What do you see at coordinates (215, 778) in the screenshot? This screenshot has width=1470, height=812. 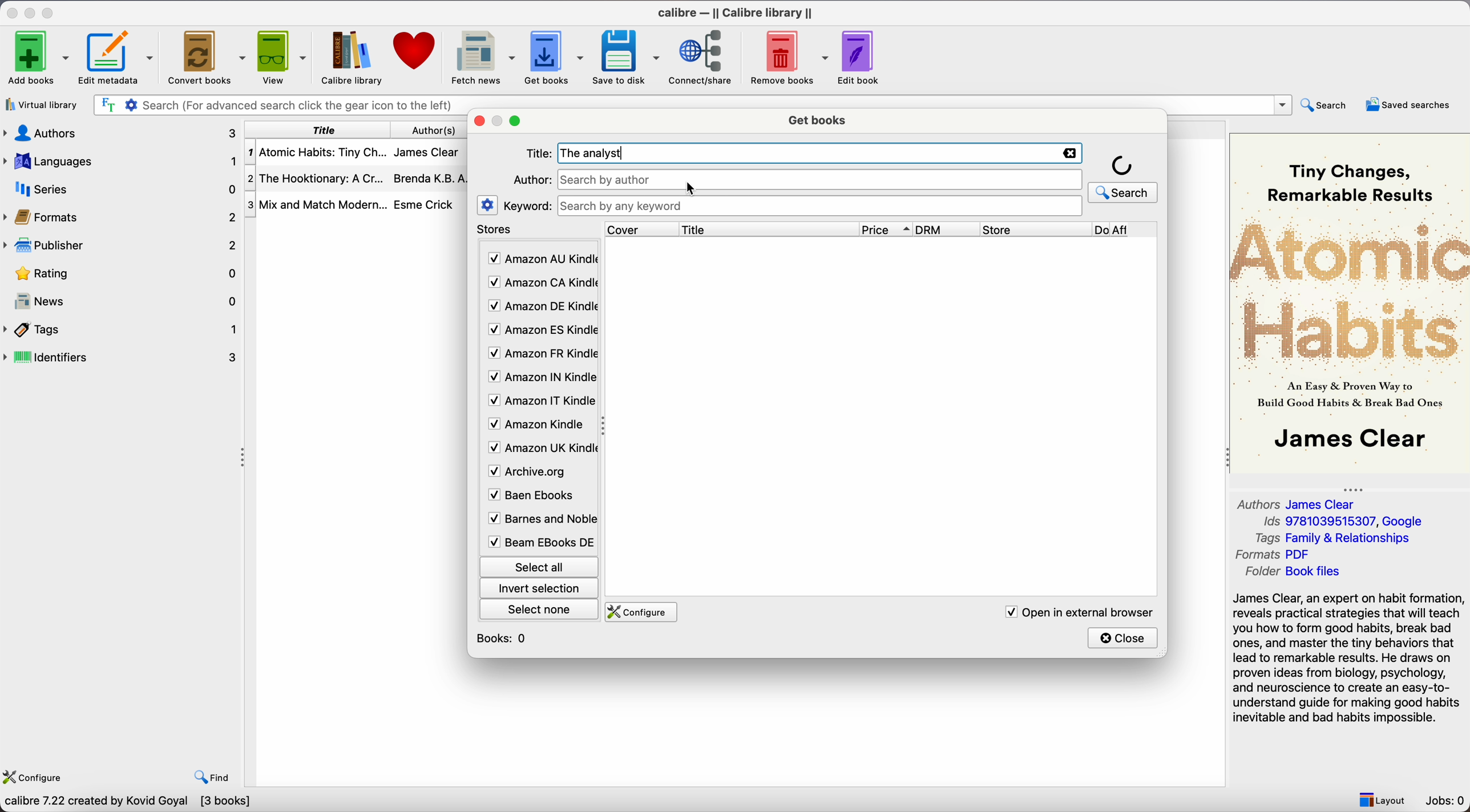 I see `find` at bounding box center [215, 778].